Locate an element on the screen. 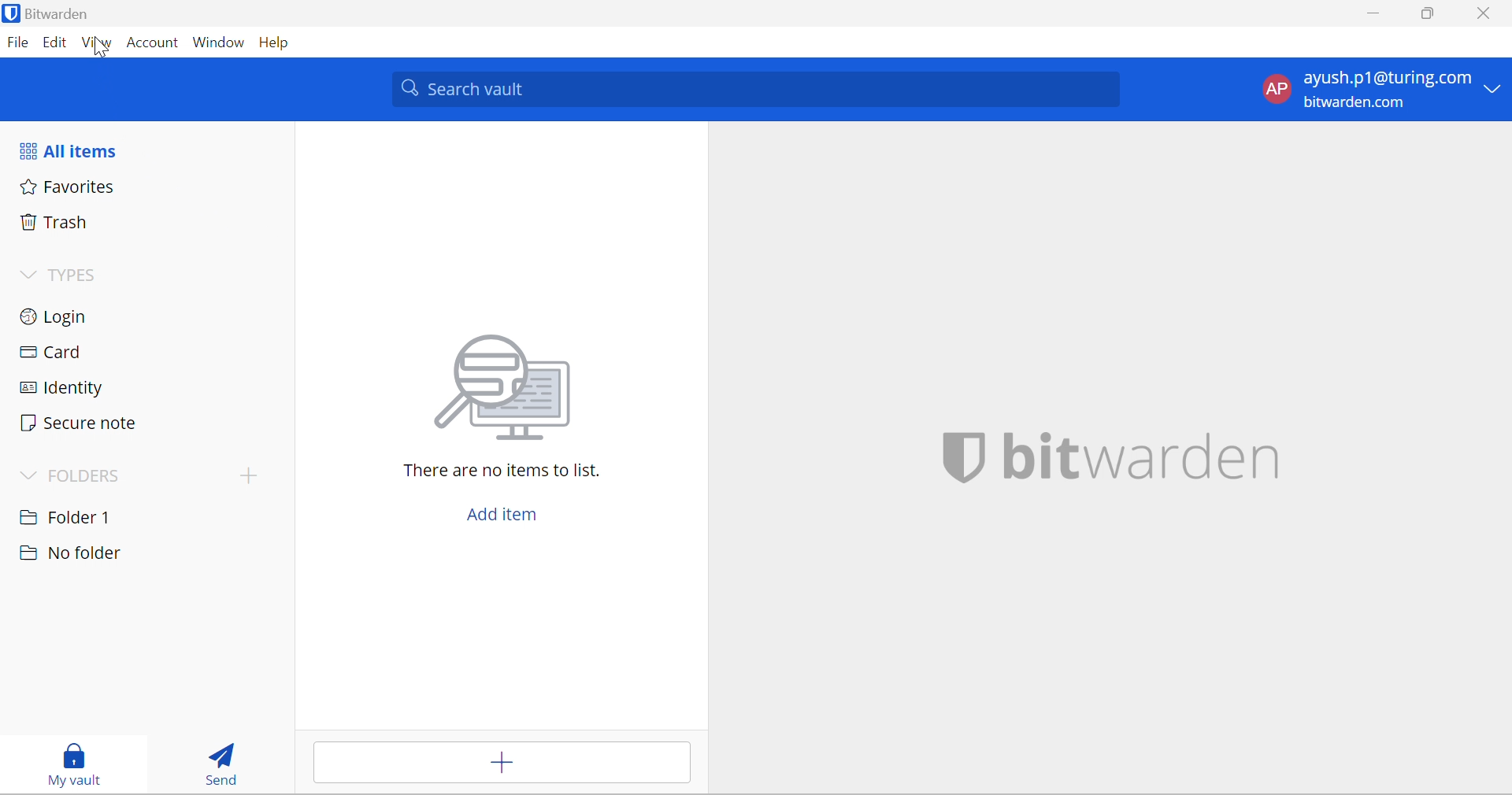 The height and width of the screenshot is (795, 1512). Identity is located at coordinates (64, 389).